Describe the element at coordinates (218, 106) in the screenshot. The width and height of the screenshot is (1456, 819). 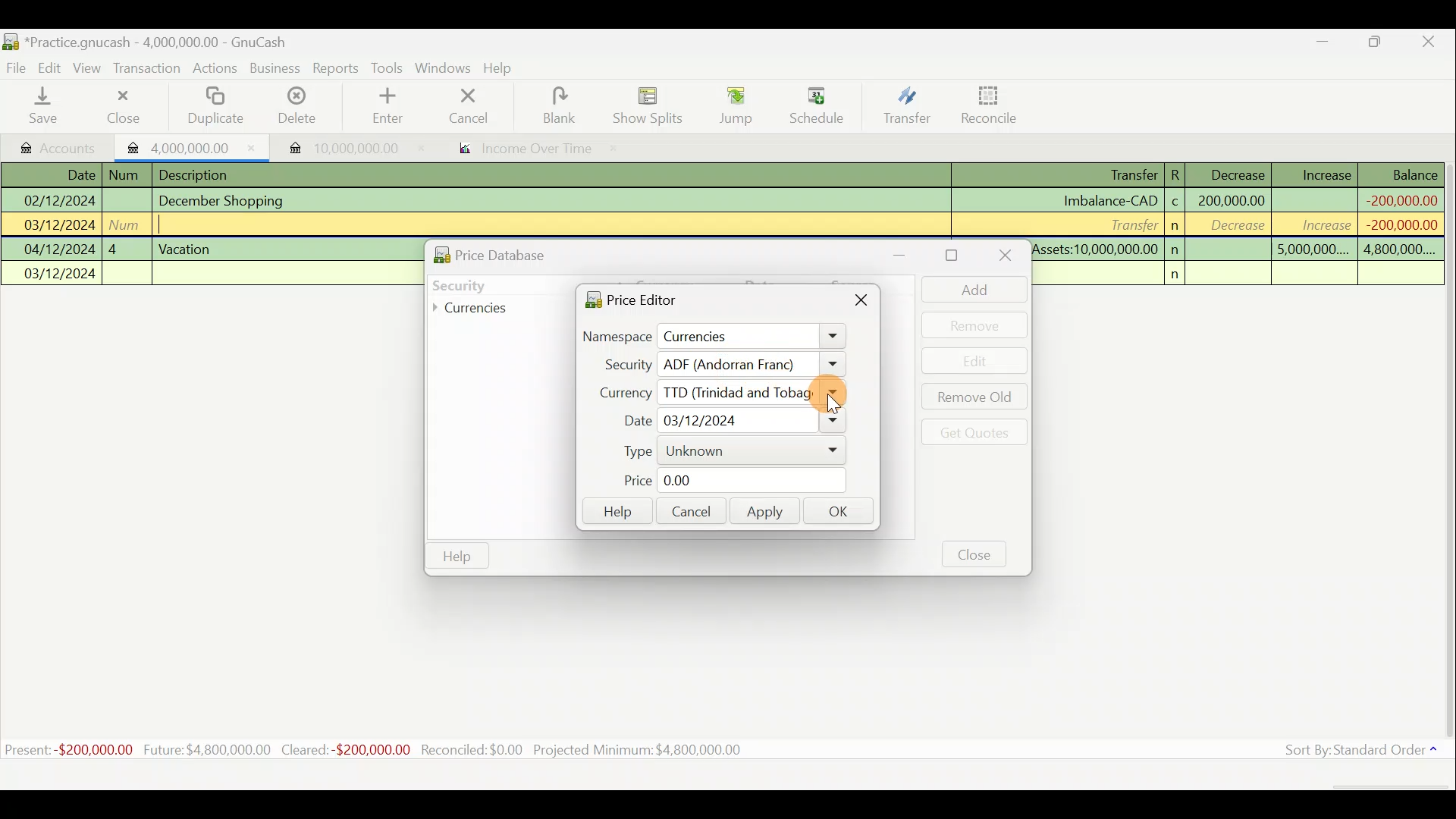
I see `Duplicate` at that location.